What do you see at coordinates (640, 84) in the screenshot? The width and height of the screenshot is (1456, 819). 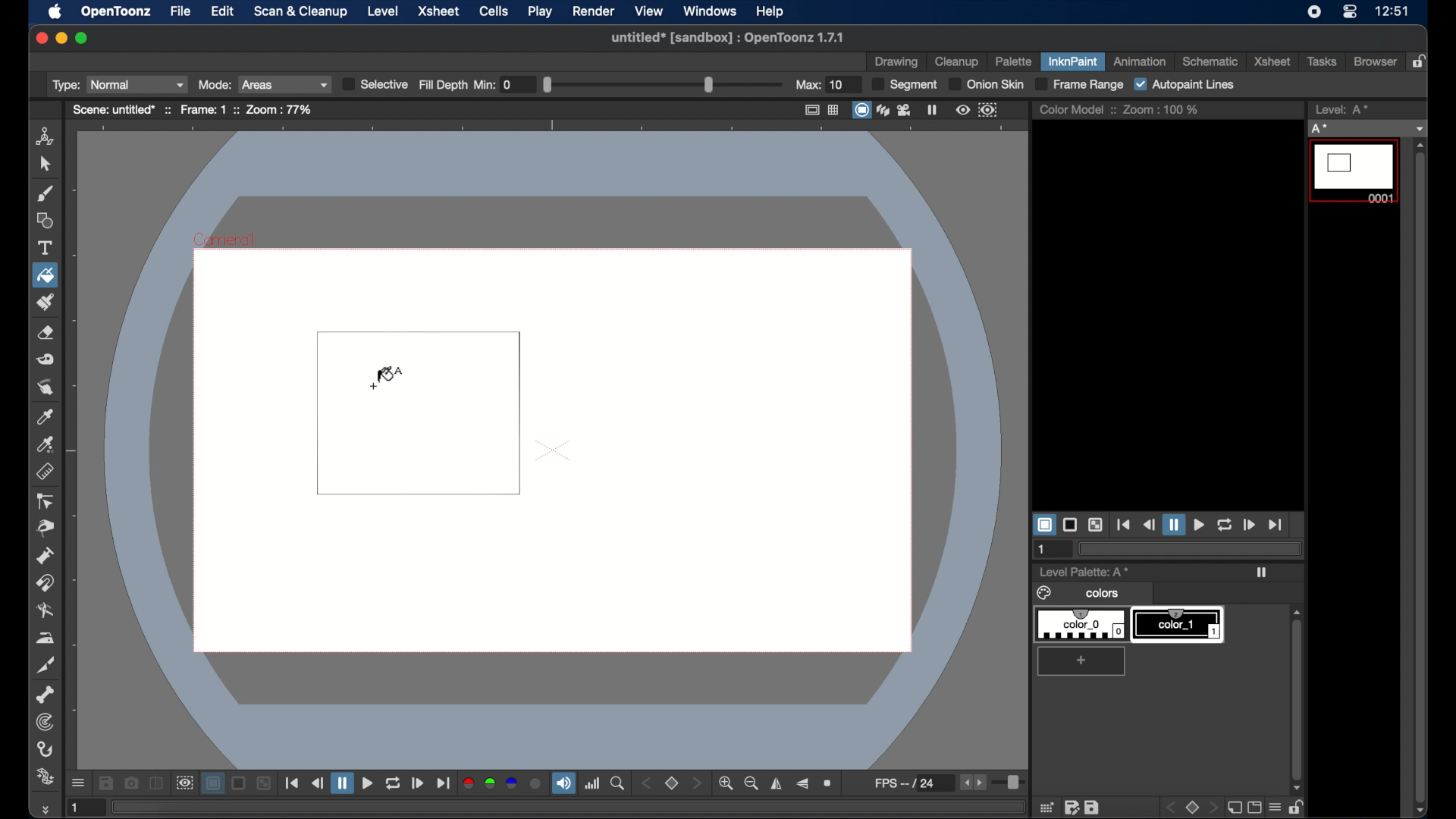 I see `fill depth` at bounding box center [640, 84].